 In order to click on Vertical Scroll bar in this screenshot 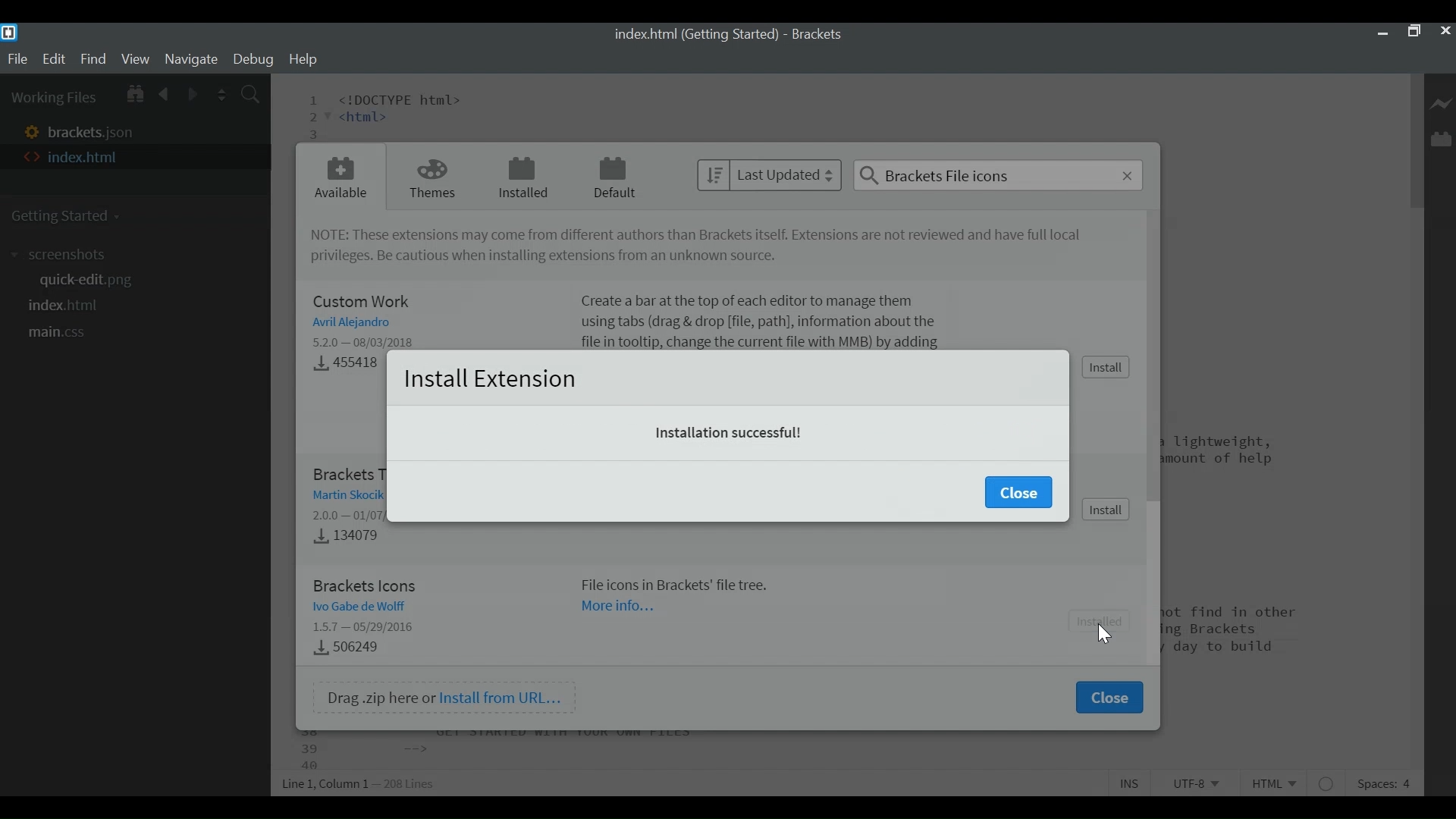, I will do `click(1416, 139)`.